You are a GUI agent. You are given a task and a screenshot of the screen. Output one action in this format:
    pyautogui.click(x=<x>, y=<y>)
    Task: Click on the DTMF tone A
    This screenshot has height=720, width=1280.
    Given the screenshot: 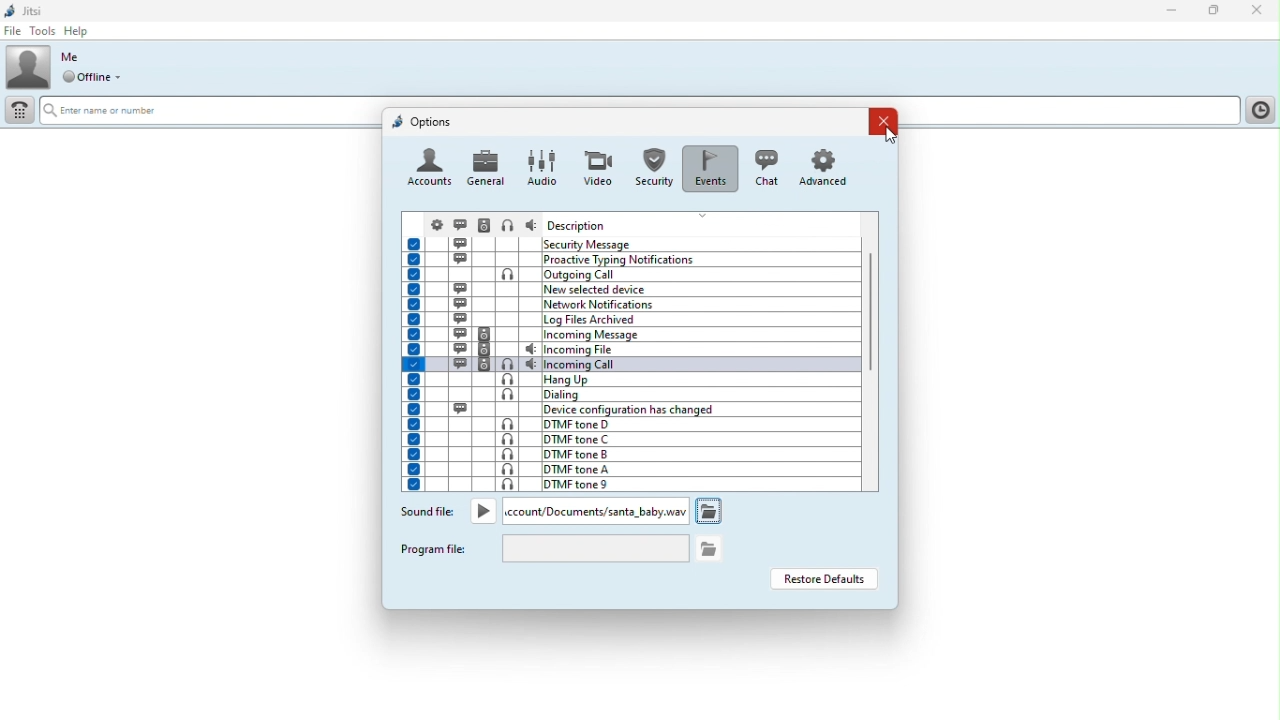 What is the action you would take?
    pyautogui.click(x=626, y=469)
    